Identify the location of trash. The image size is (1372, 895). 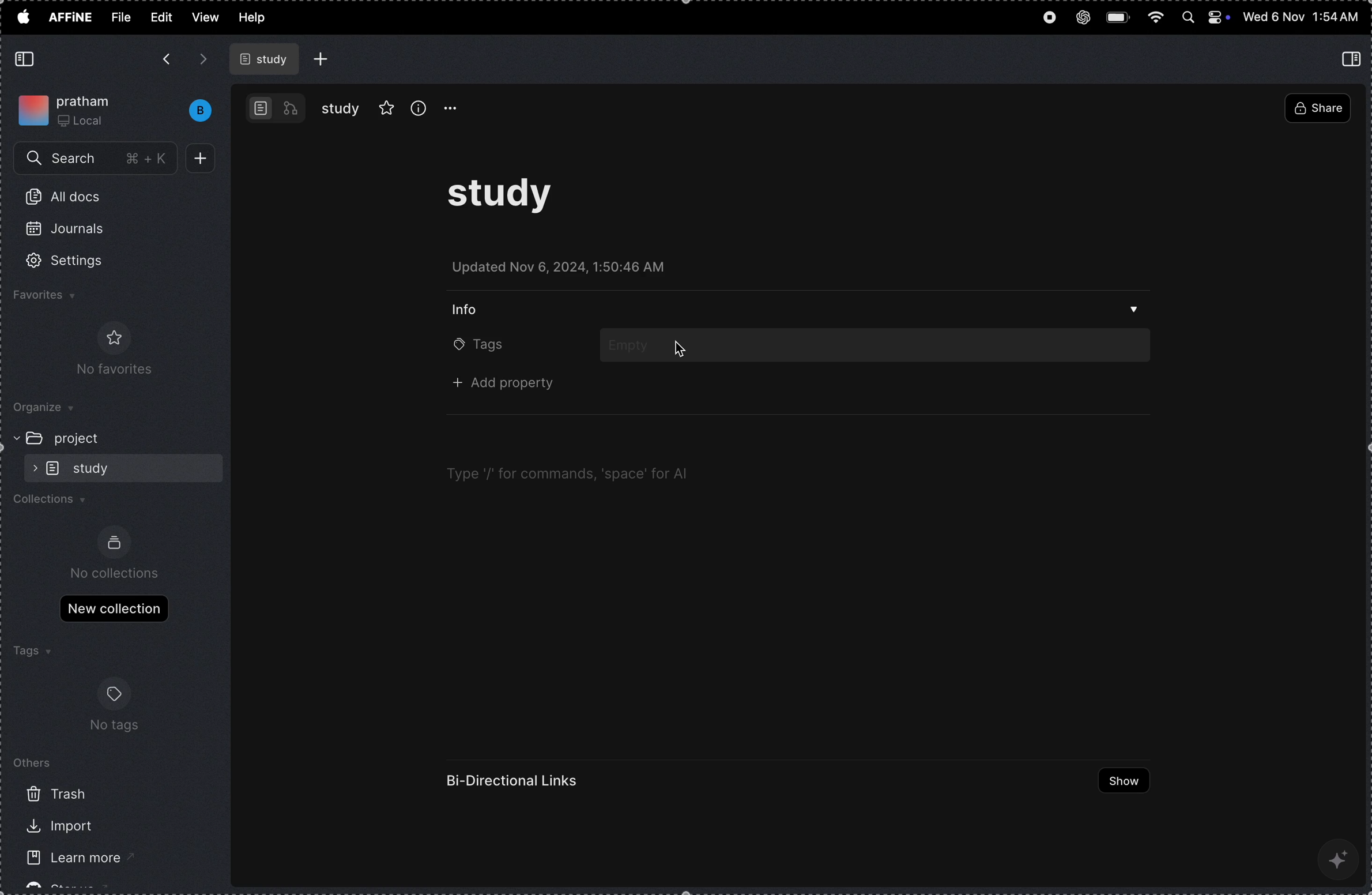
(57, 794).